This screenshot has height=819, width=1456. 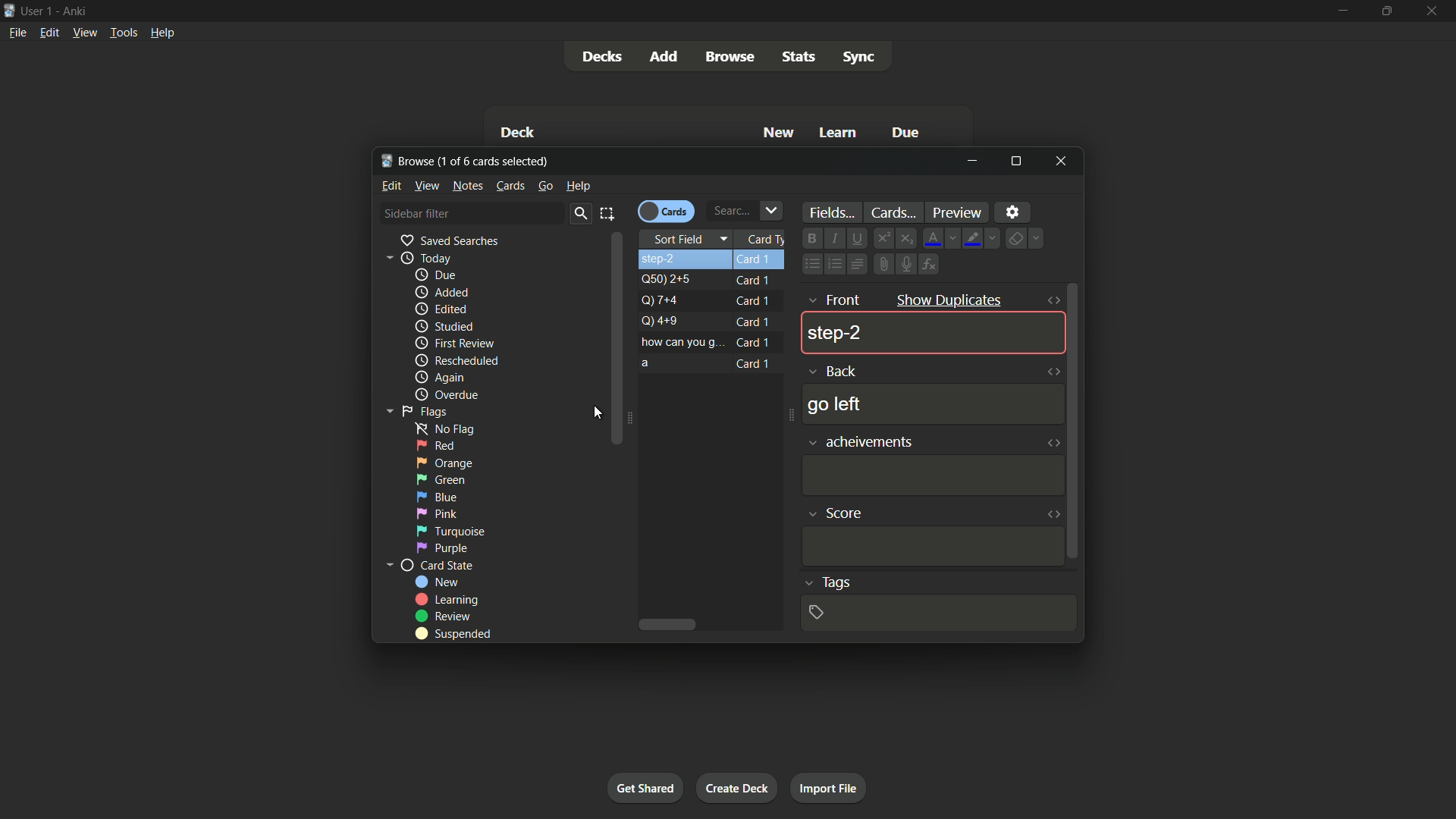 I want to click on Italic, so click(x=832, y=237).